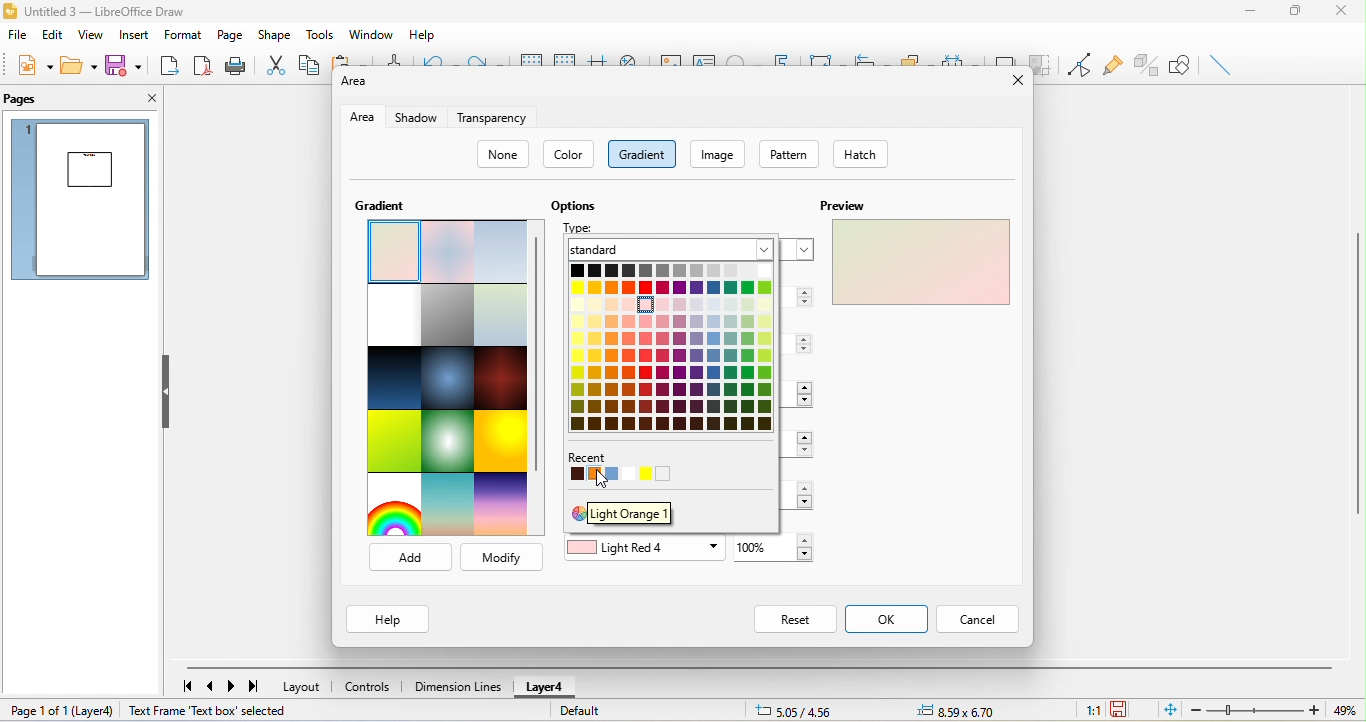 The image size is (1366, 722). What do you see at coordinates (81, 64) in the screenshot?
I see `open` at bounding box center [81, 64].